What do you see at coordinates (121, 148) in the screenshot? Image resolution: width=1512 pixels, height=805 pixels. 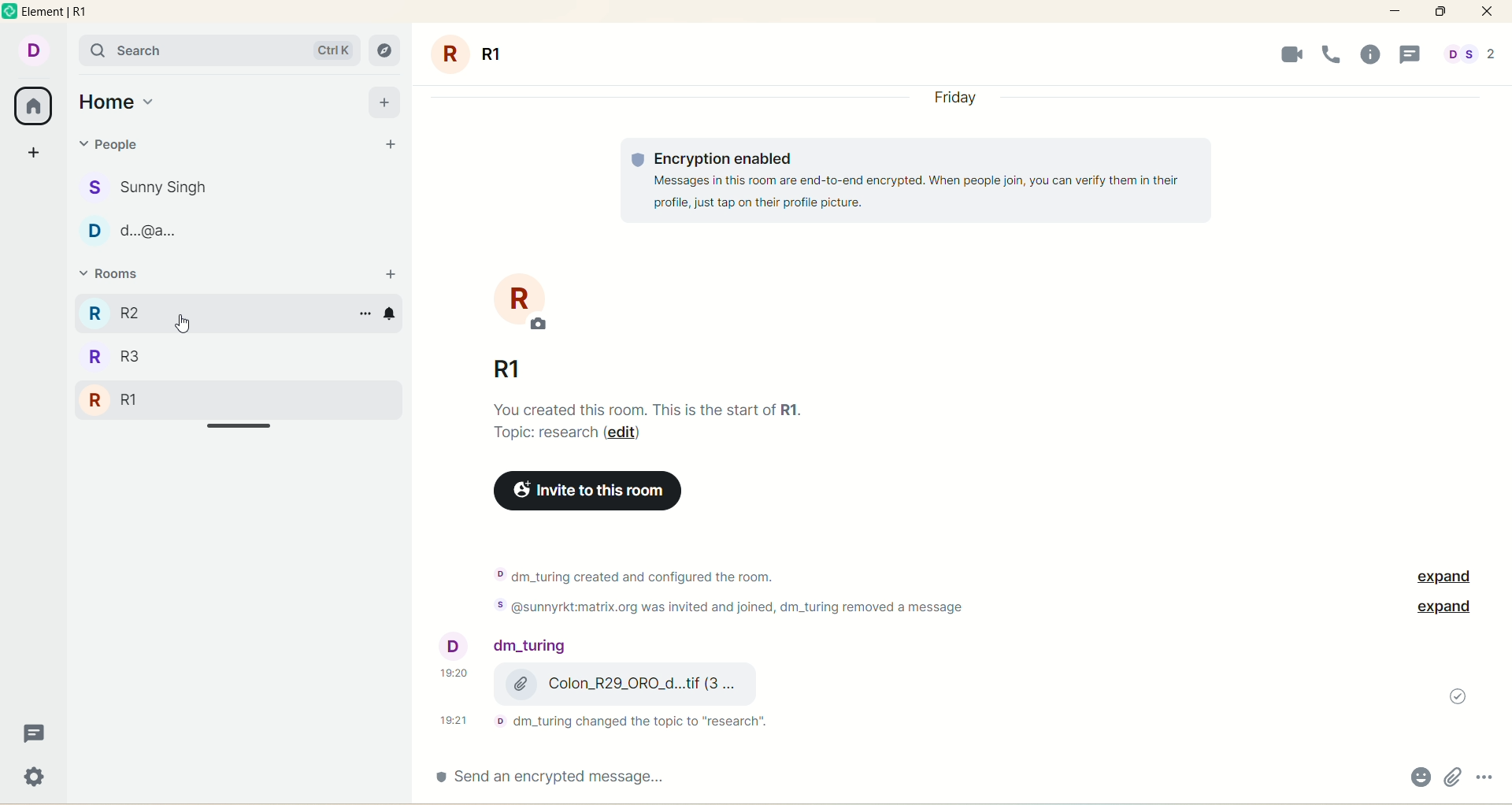 I see `people` at bounding box center [121, 148].